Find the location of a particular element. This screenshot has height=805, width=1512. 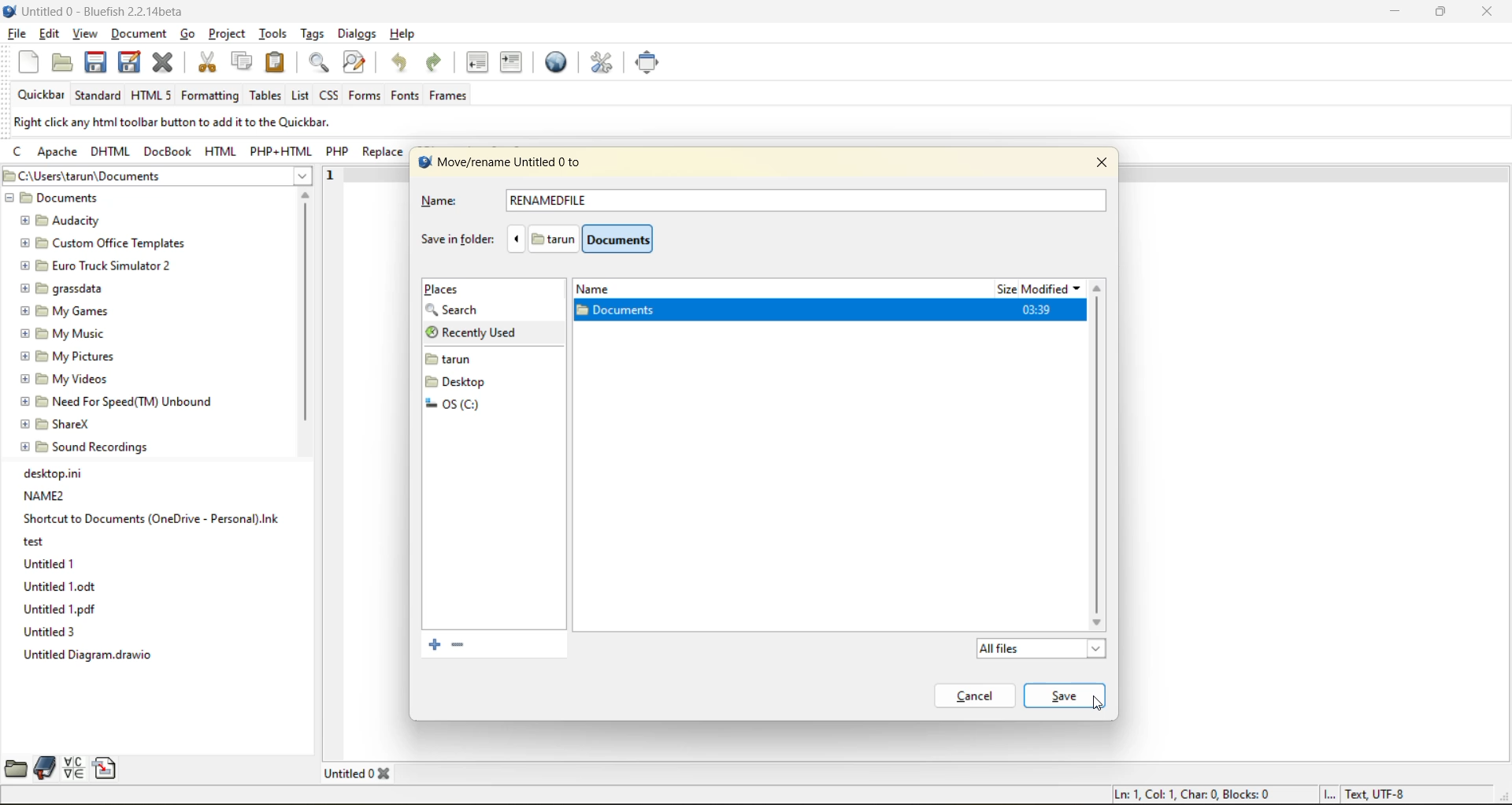

file browser is located at coordinates (16, 768).